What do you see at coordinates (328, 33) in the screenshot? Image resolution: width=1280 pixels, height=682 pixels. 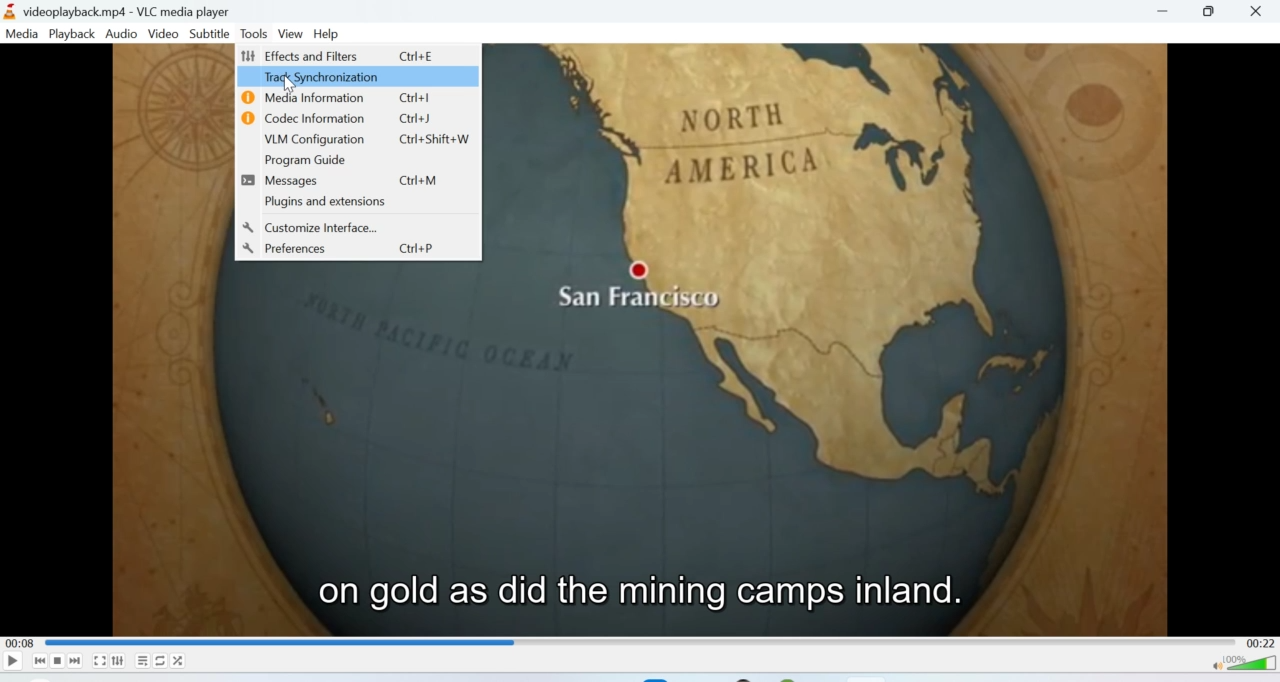 I see `Help` at bounding box center [328, 33].